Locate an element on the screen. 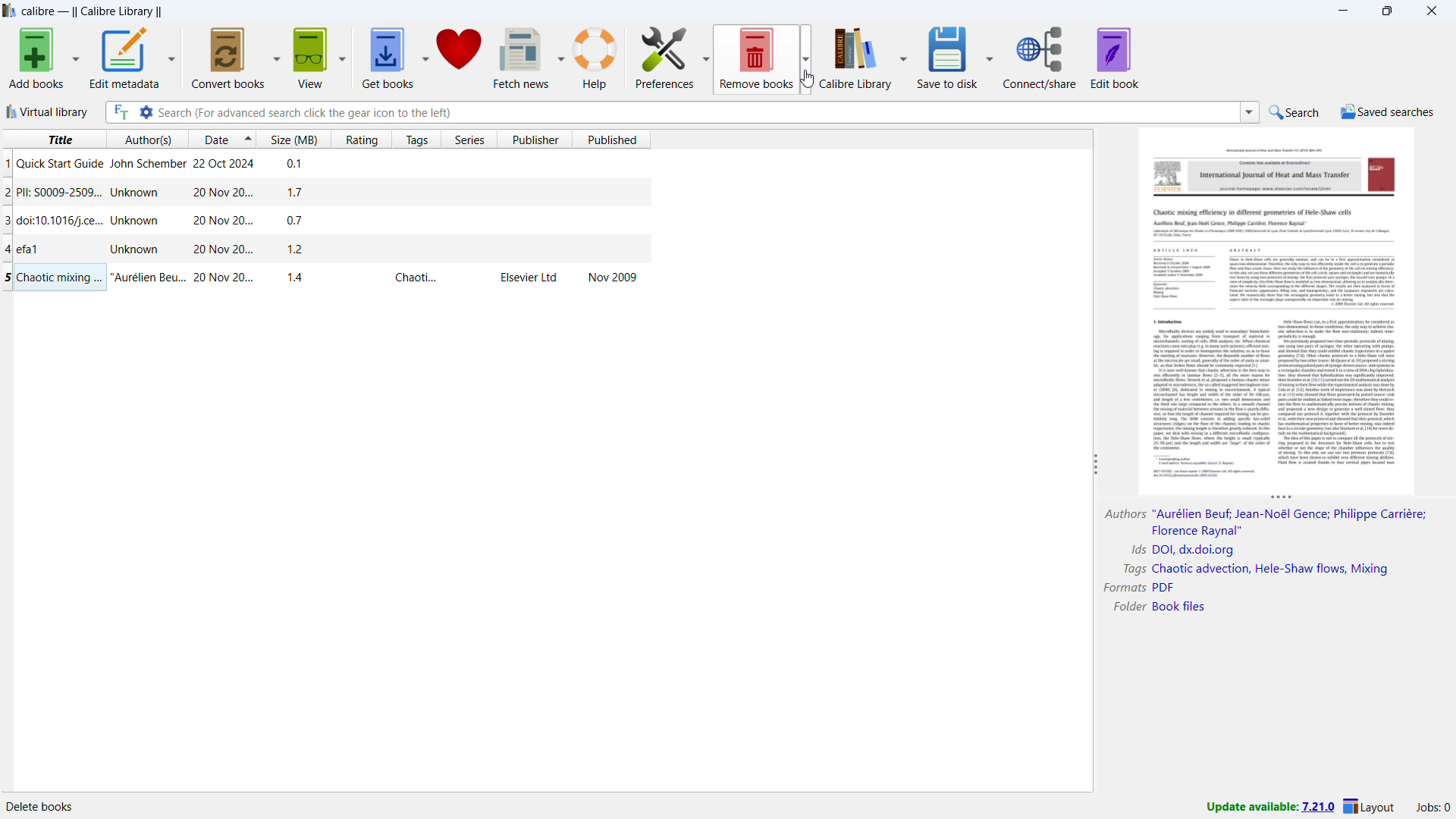 The height and width of the screenshot is (819, 1456). single book entry is located at coordinates (326, 165).